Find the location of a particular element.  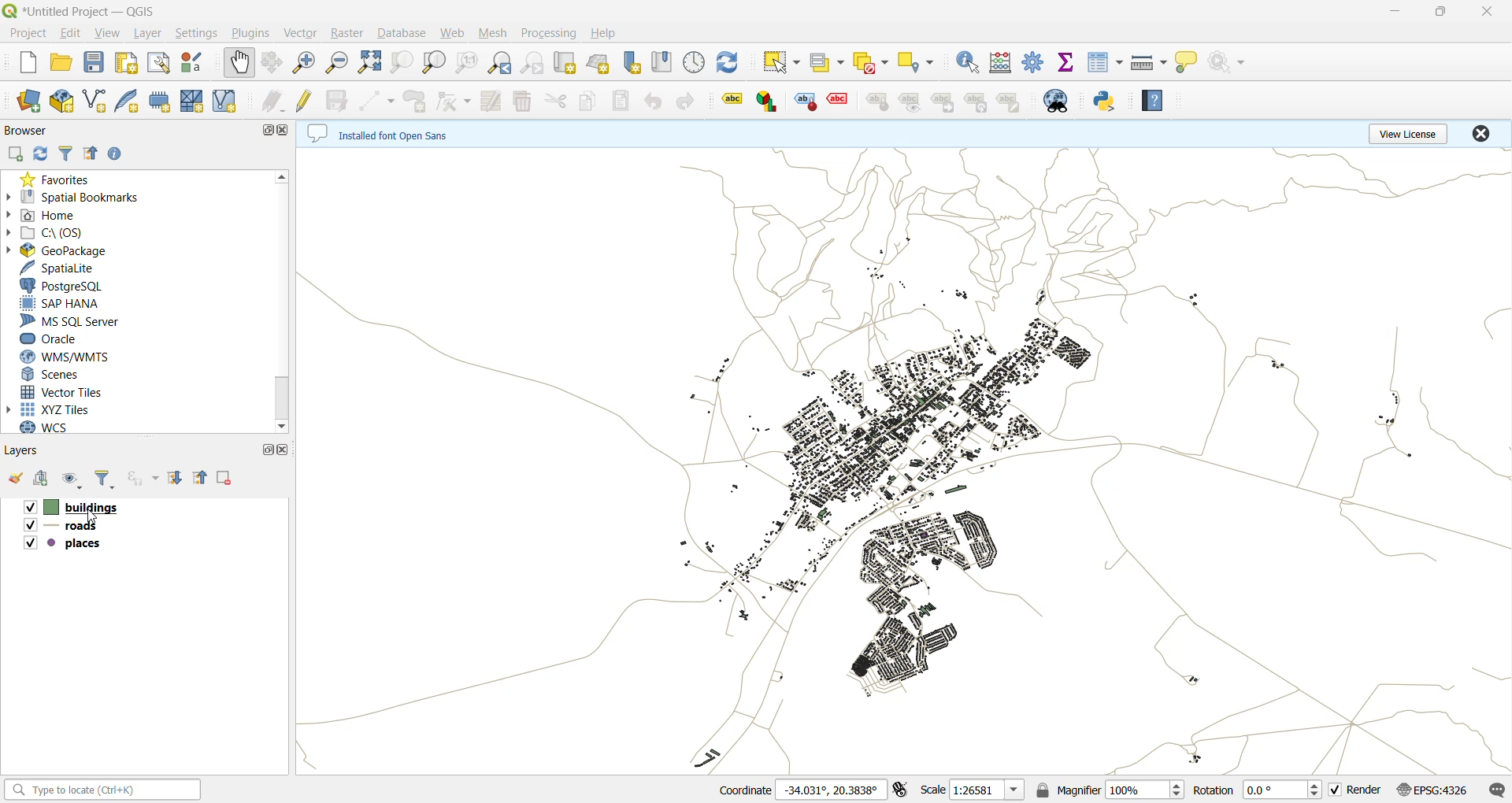

select value is located at coordinates (827, 63).